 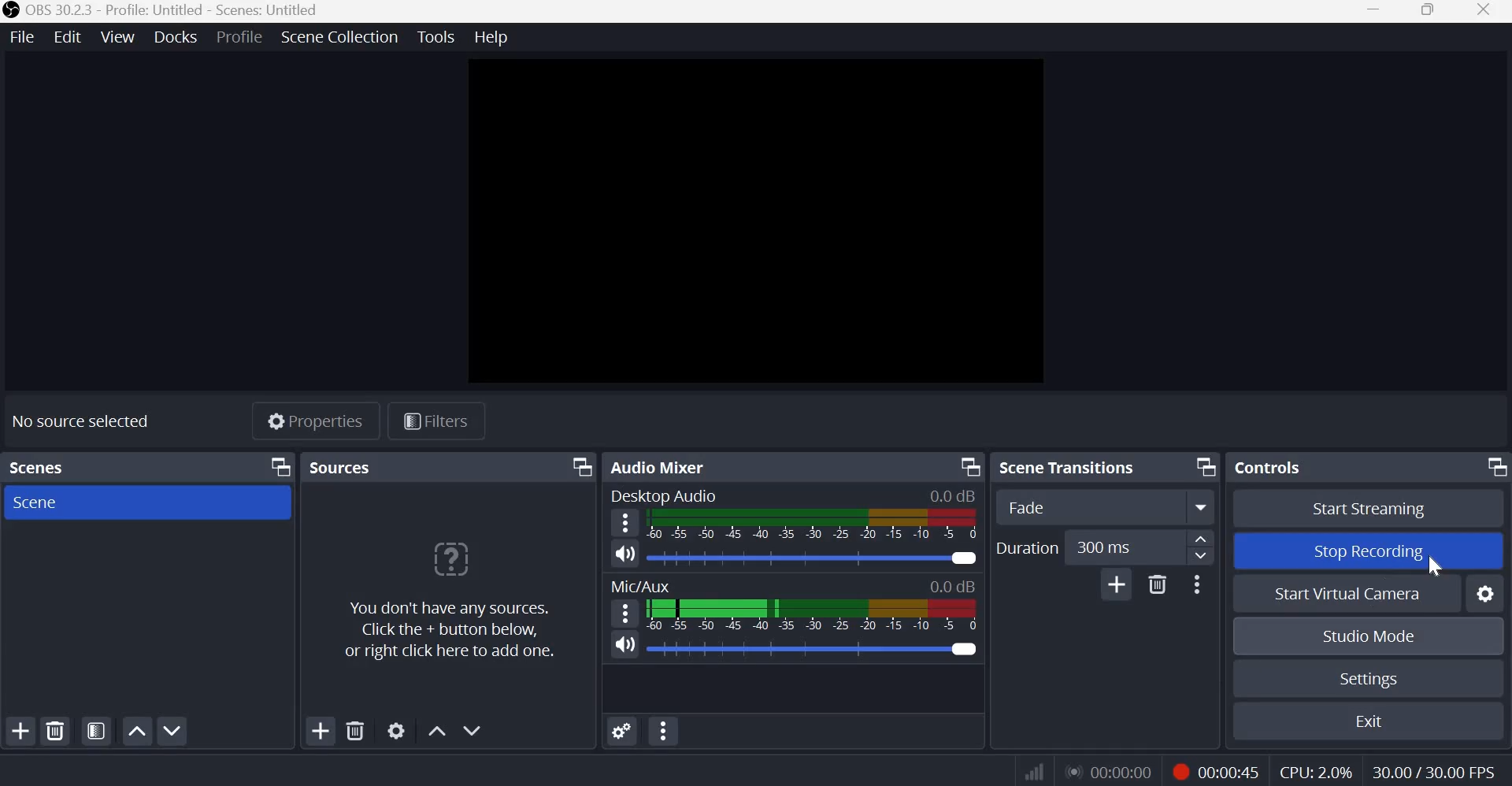 I want to click on Volume Meter, so click(x=814, y=615).